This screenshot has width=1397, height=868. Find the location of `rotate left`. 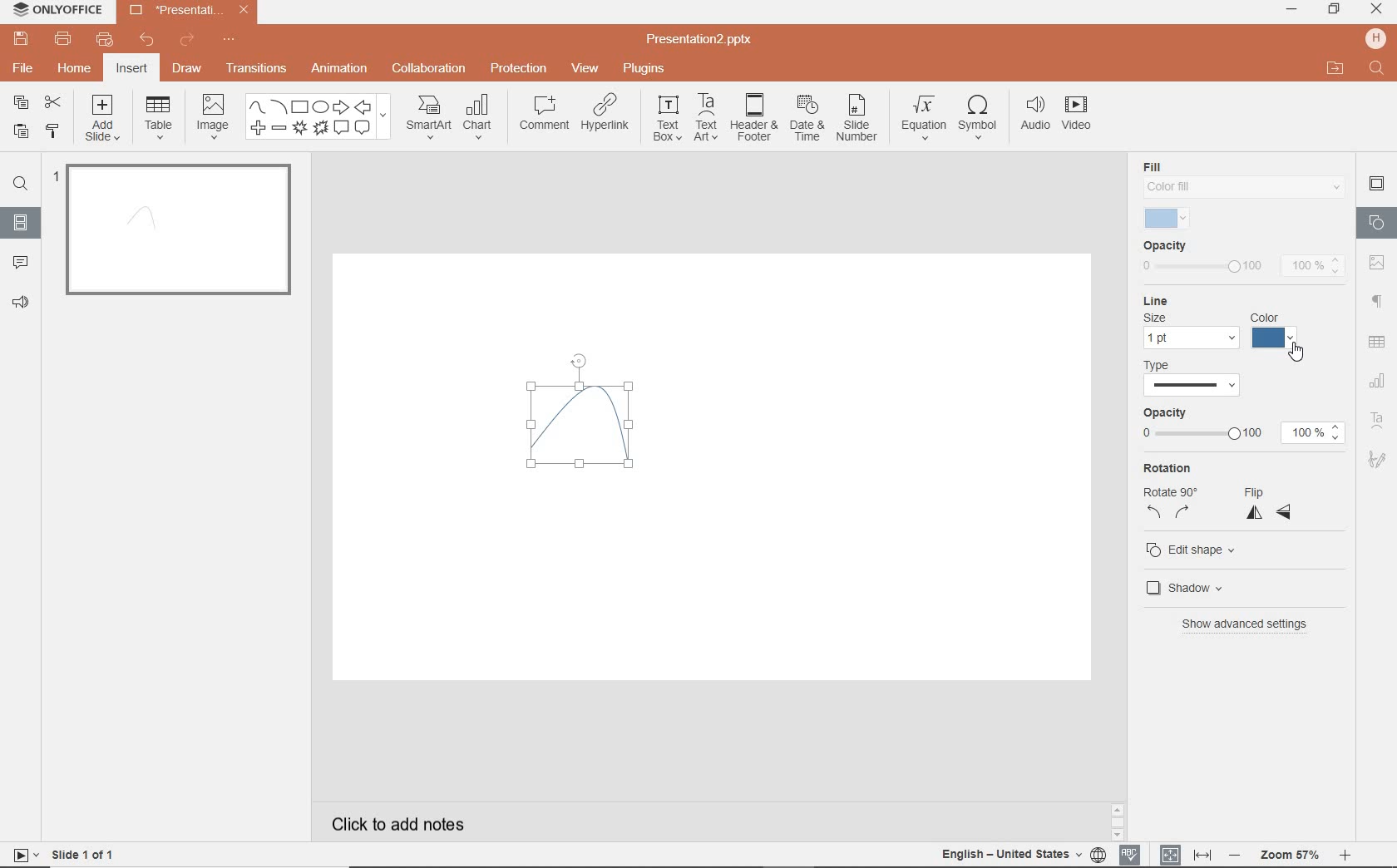

rotate left is located at coordinates (1148, 511).